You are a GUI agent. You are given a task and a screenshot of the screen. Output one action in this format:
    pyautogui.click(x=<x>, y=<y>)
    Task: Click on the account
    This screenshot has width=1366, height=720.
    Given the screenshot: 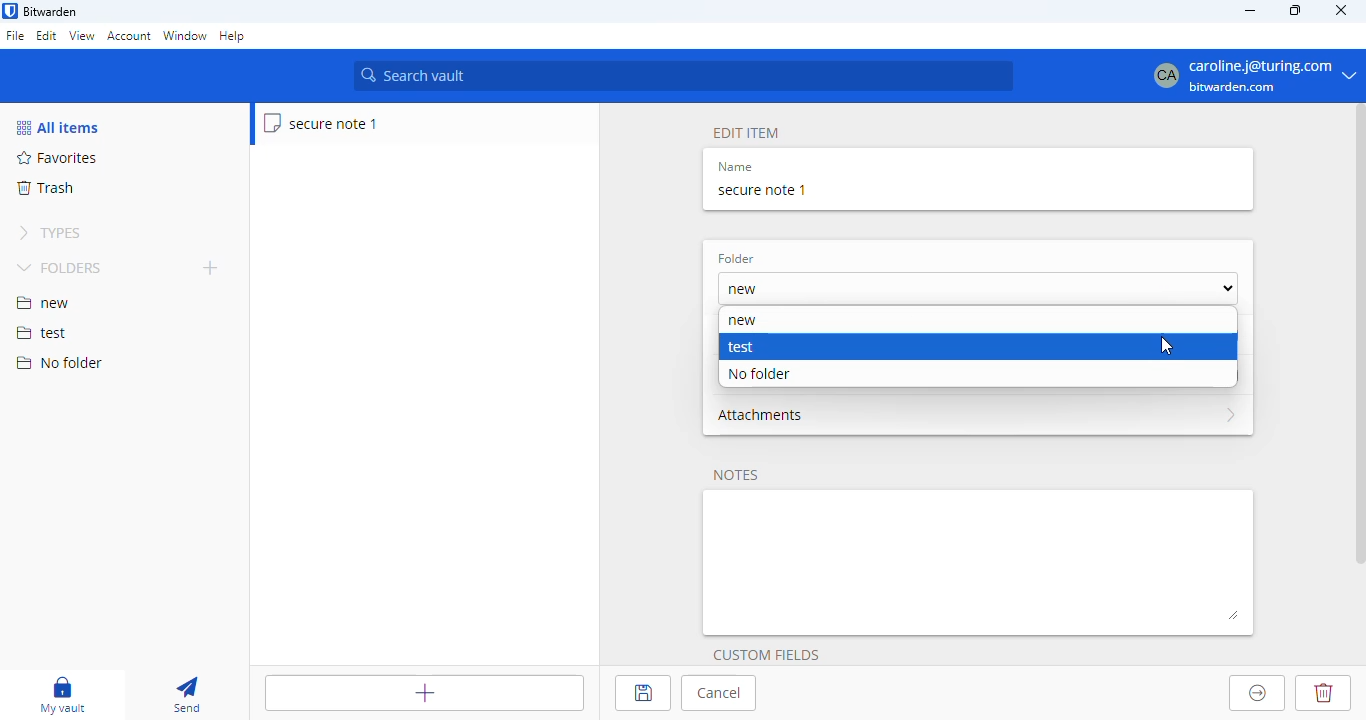 What is the action you would take?
    pyautogui.click(x=129, y=36)
    